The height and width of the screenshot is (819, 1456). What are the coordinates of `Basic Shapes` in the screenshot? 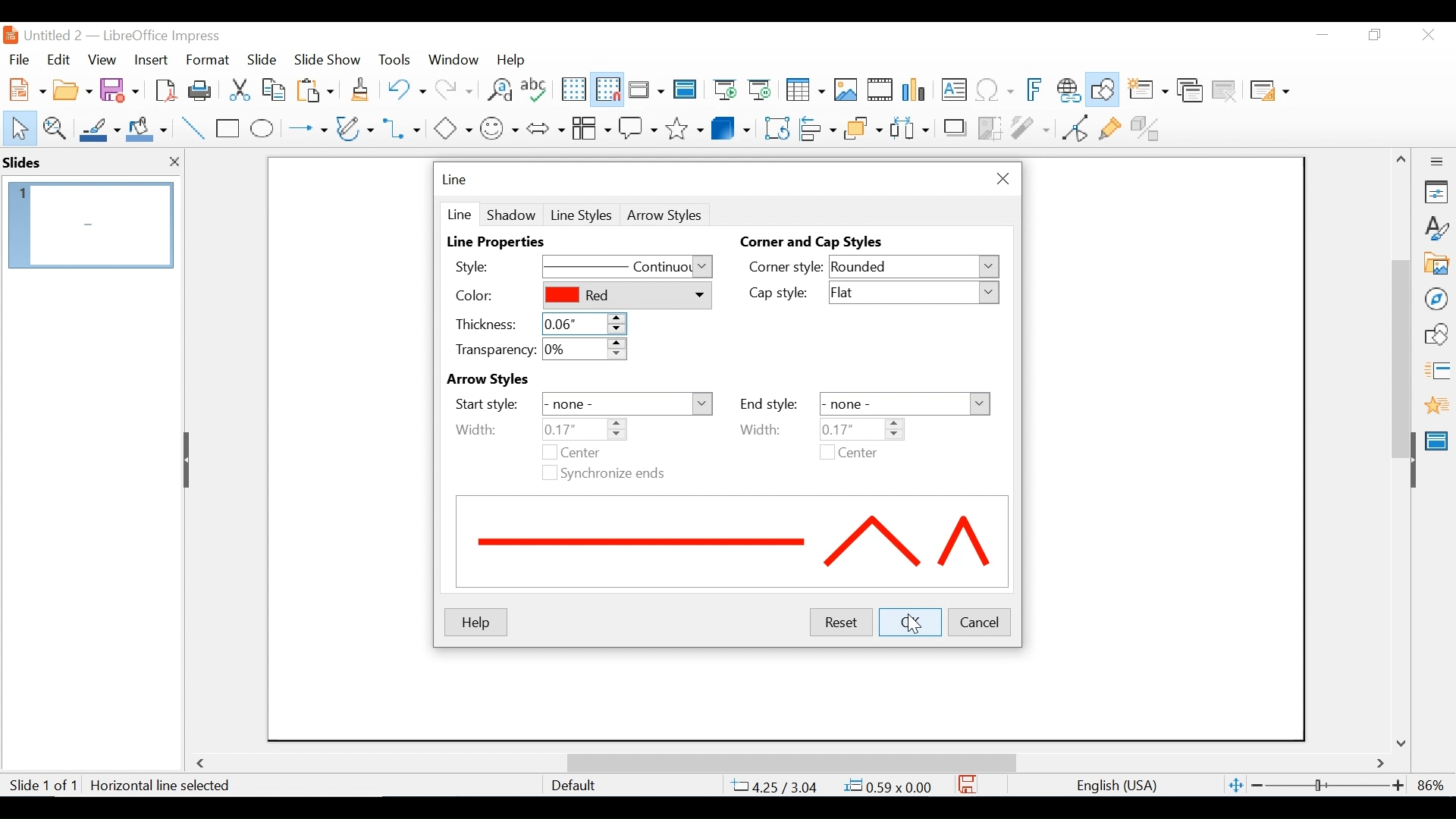 It's located at (452, 127).